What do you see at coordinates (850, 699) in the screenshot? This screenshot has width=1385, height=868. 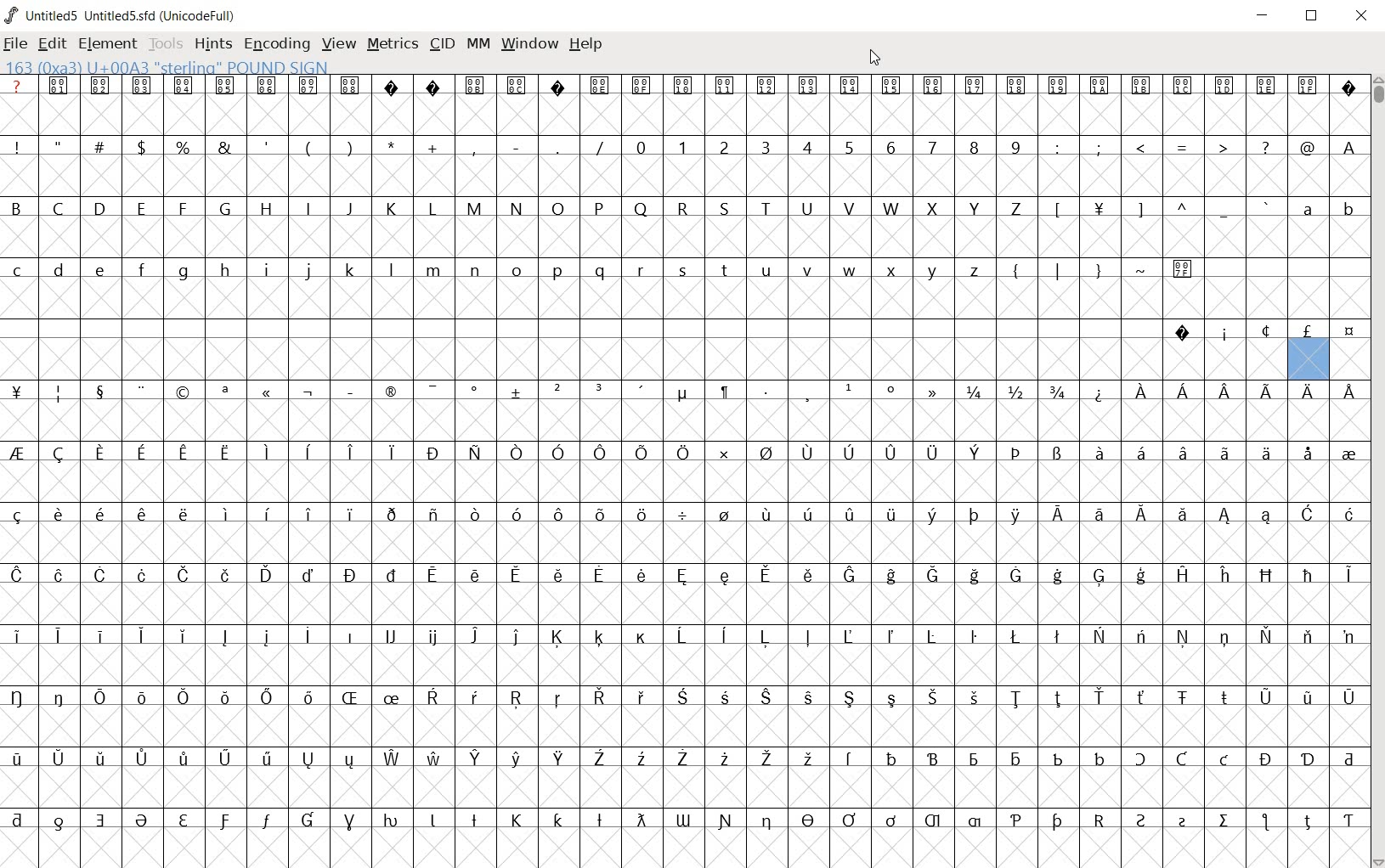 I see `Symbol` at bounding box center [850, 699].